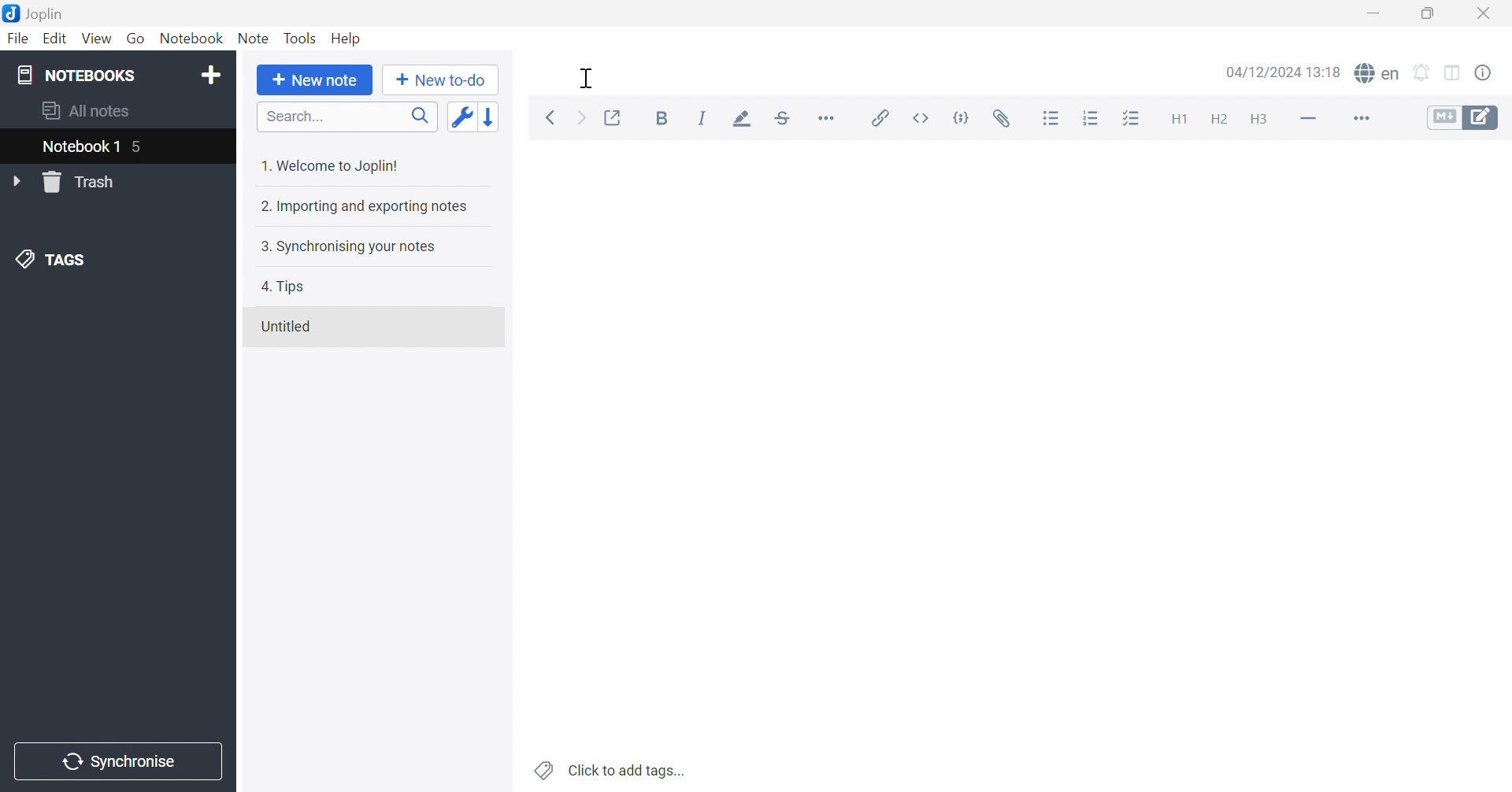 The width and height of the screenshot is (1512, 792). What do you see at coordinates (1371, 13) in the screenshot?
I see `Minimize` at bounding box center [1371, 13].